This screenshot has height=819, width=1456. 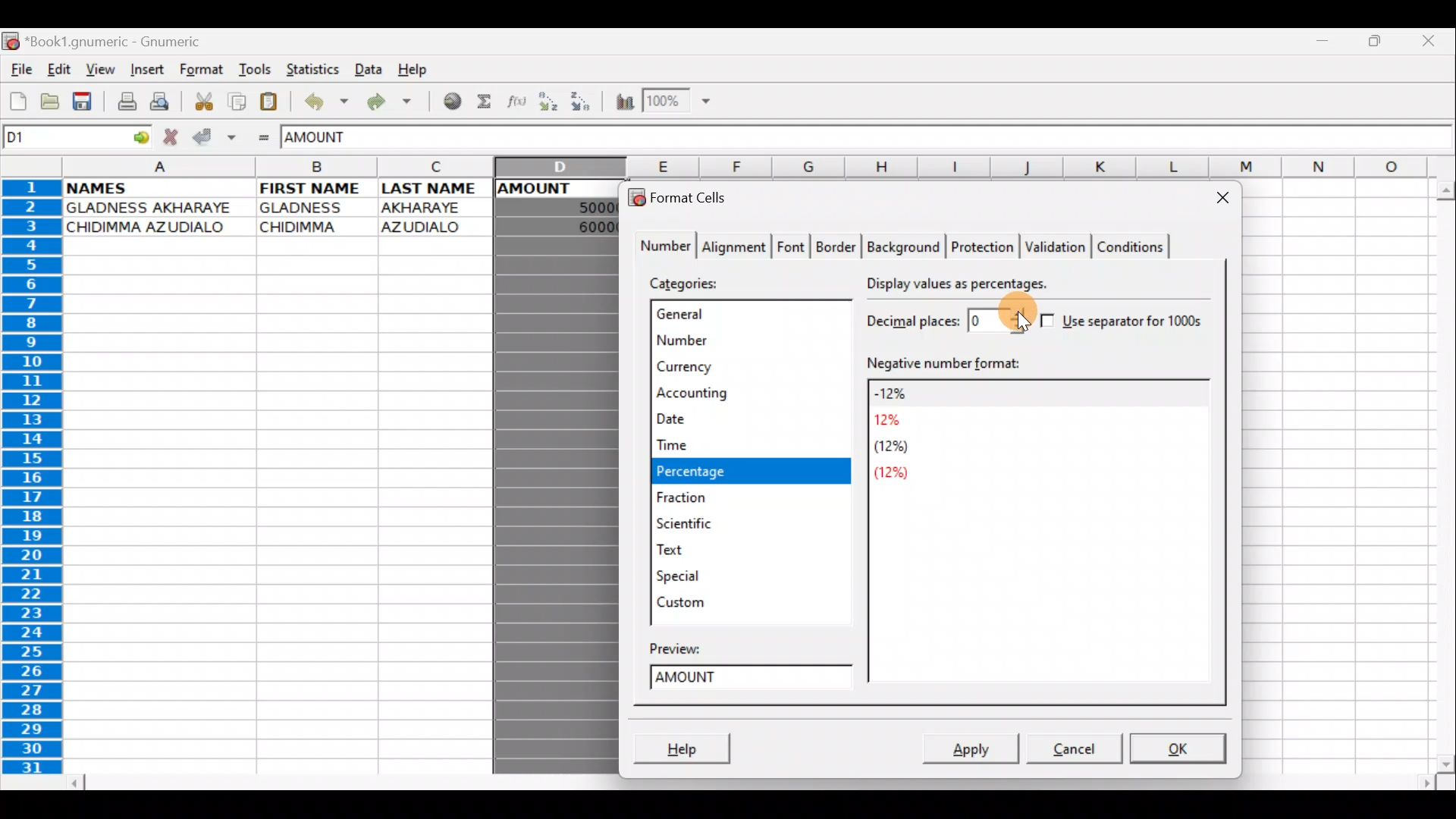 What do you see at coordinates (20, 71) in the screenshot?
I see `File` at bounding box center [20, 71].